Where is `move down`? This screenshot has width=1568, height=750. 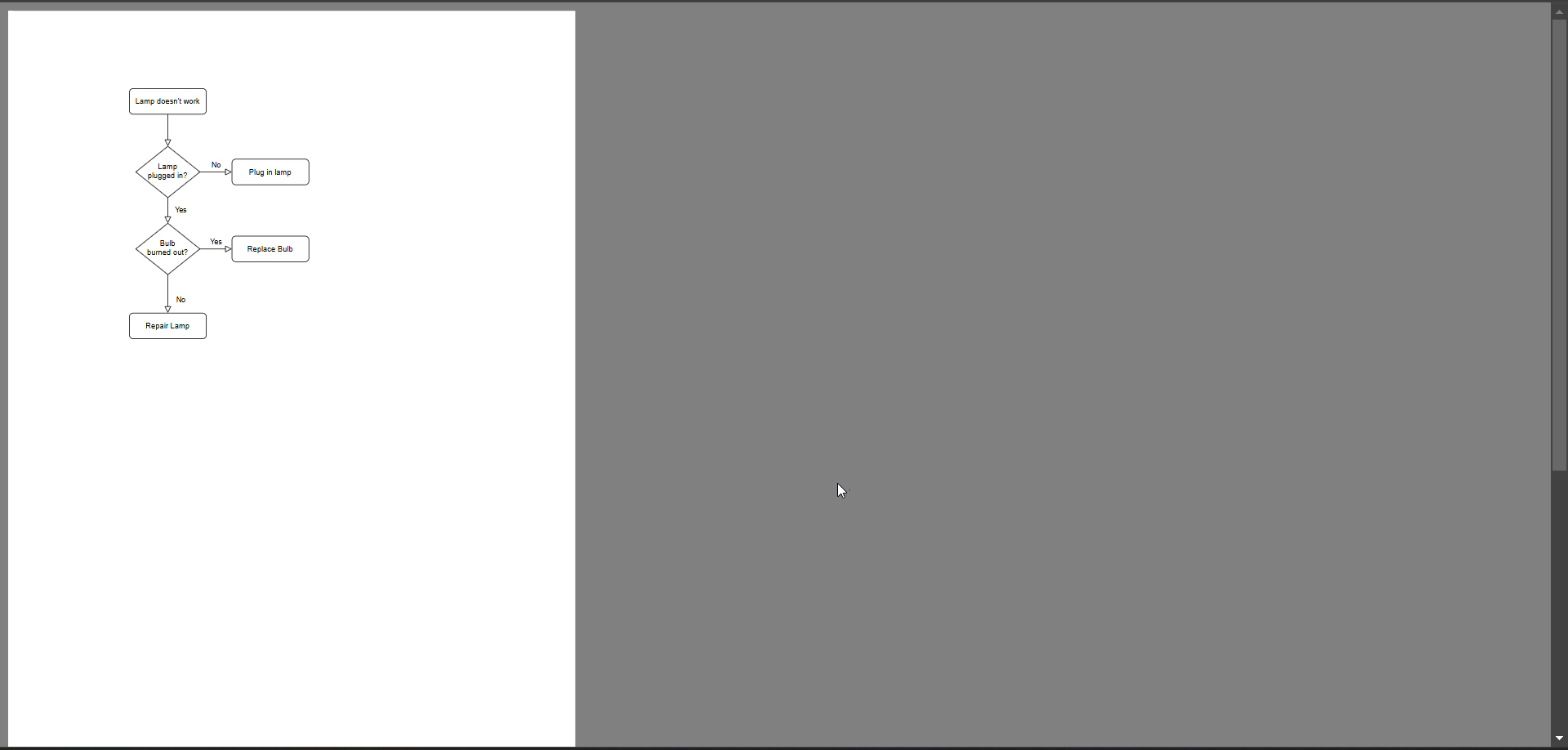
move down is located at coordinates (1558, 735).